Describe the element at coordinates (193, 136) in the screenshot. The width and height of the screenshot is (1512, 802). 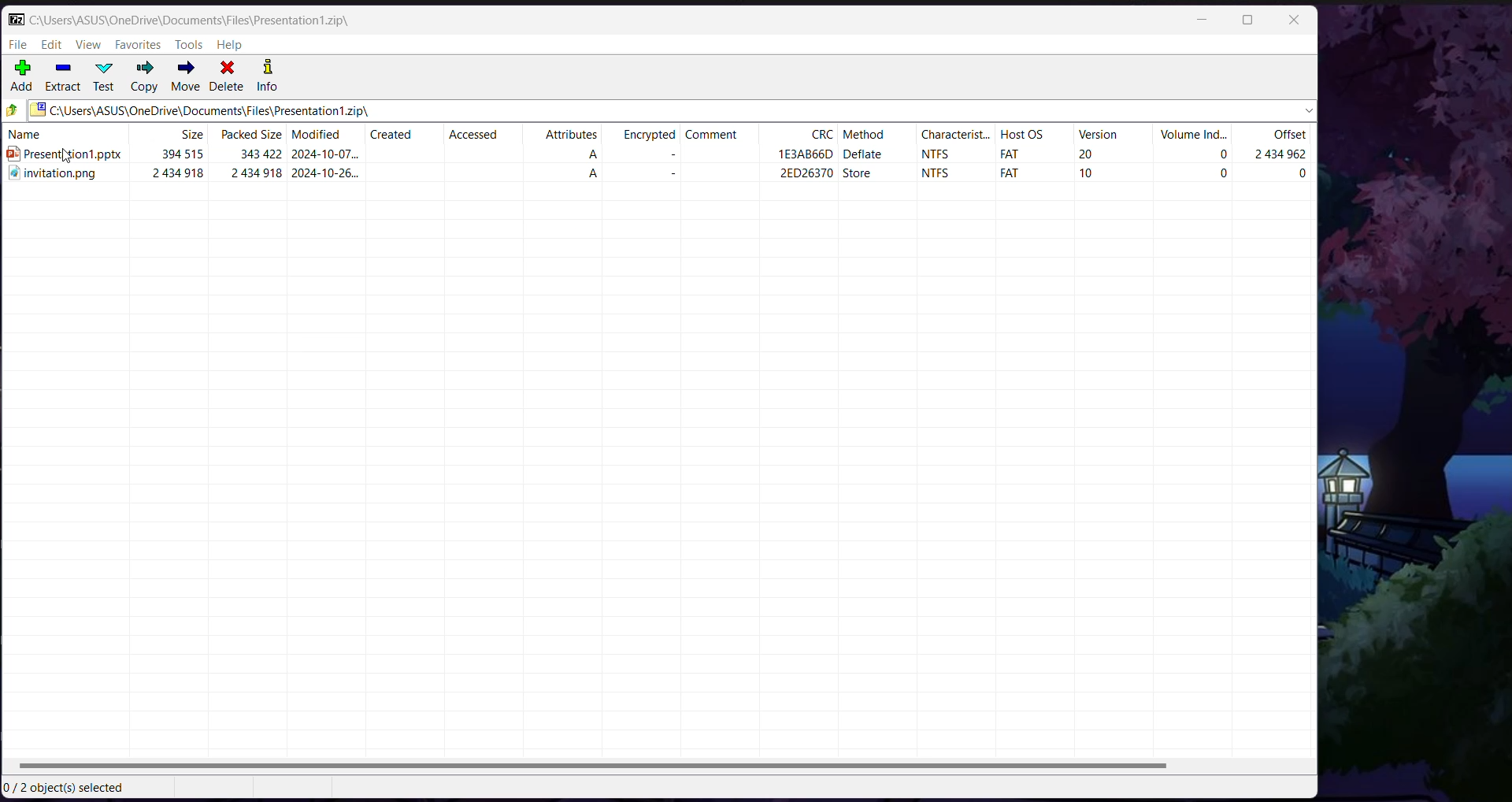
I see `size` at that location.